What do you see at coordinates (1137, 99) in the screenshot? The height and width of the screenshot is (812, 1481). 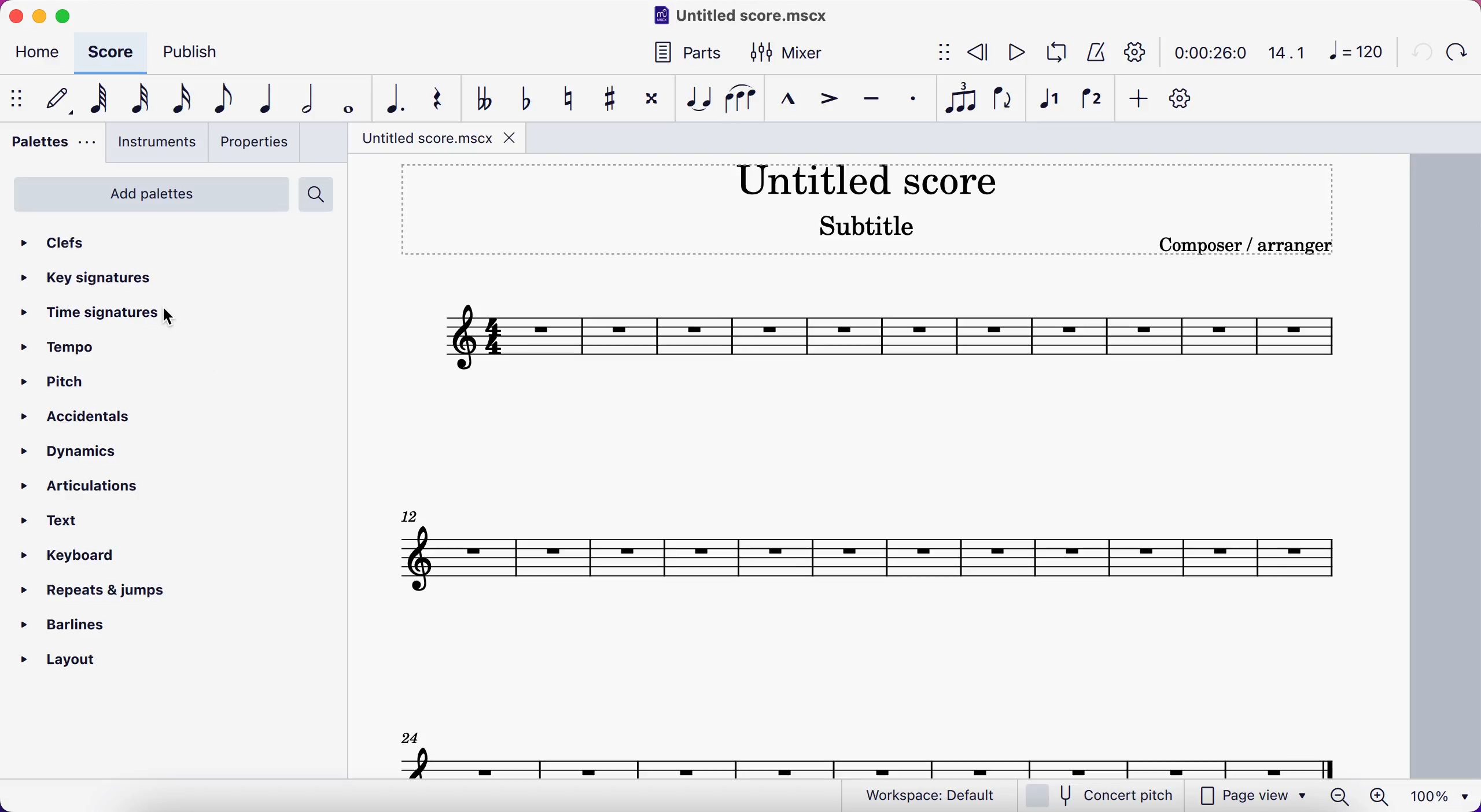 I see `add` at bounding box center [1137, 99].